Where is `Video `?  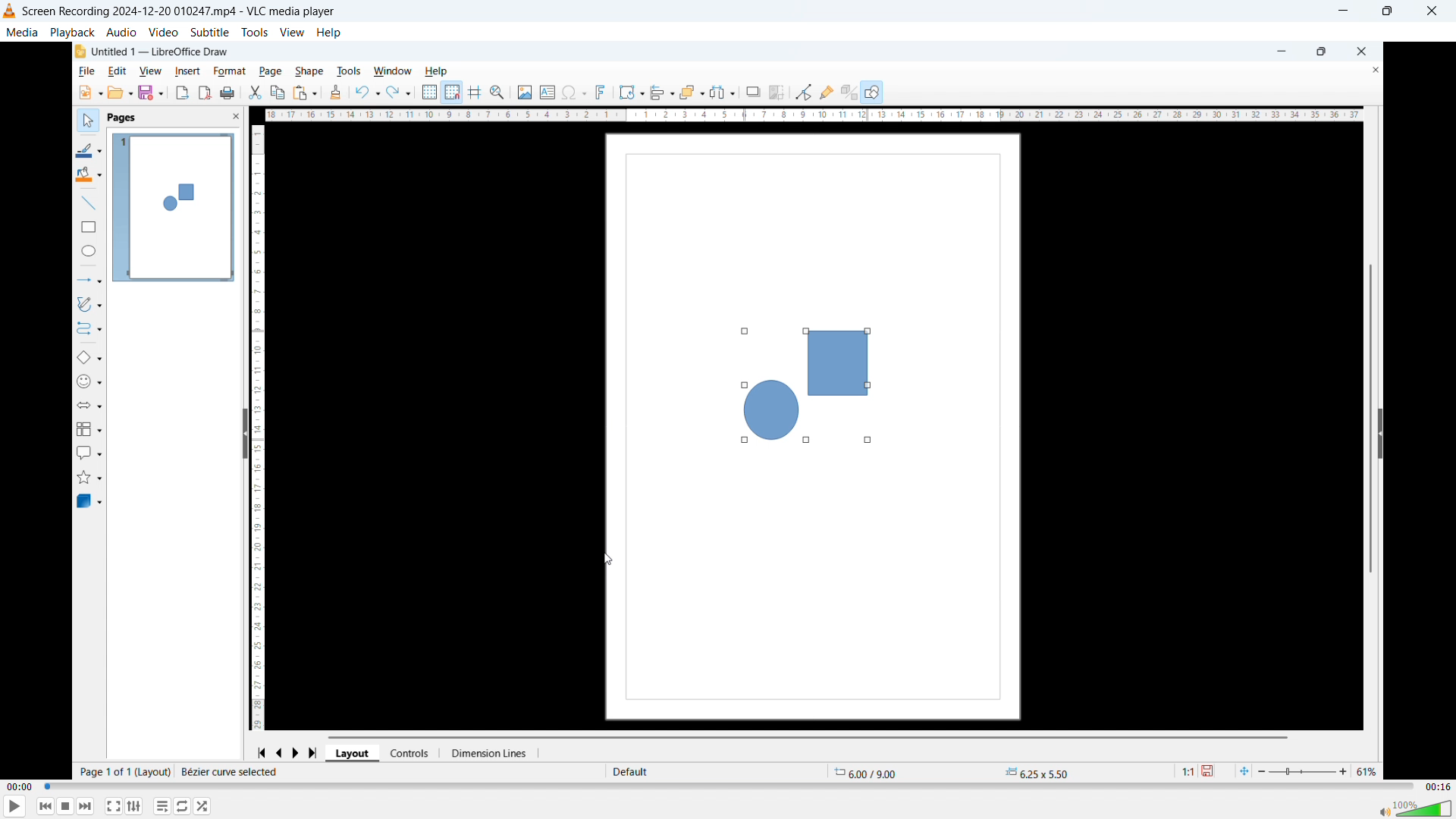 Video  is located at coordinates (163, 33).